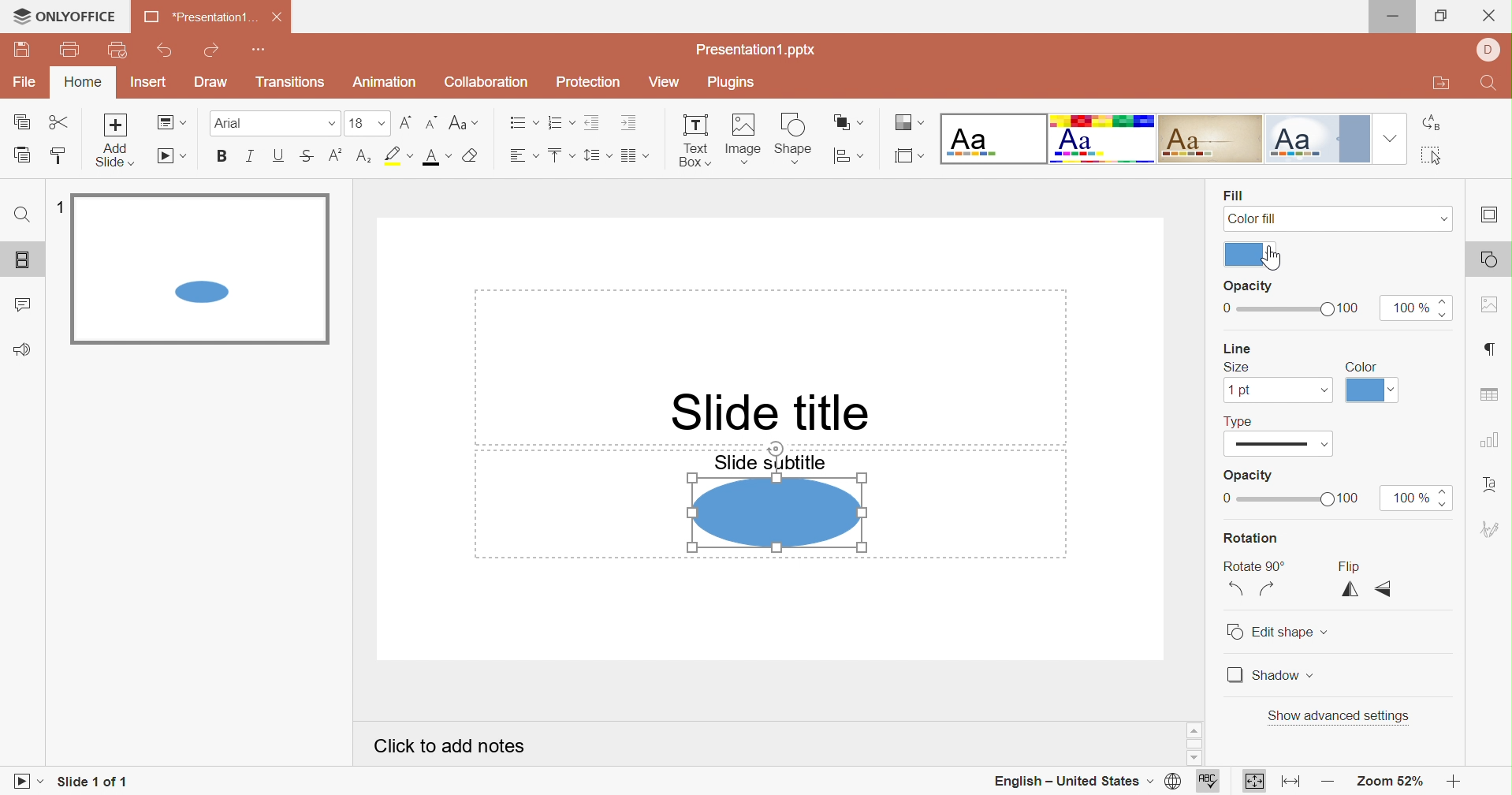  Describe the element at coordinates (1451, 783) in the screenshot. I see `Zoom in` at that location.